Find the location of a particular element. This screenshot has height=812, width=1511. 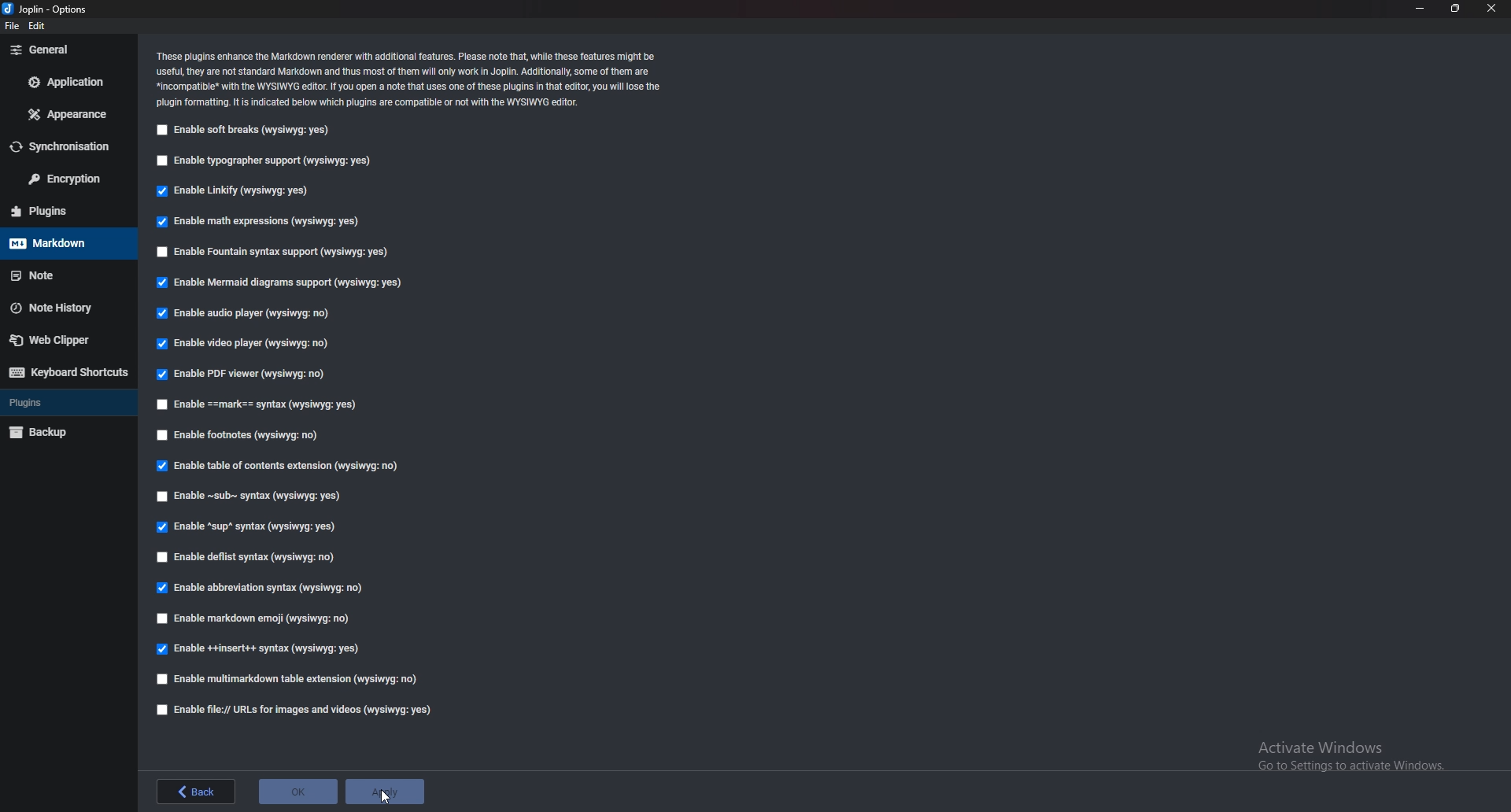

 is located at coordinates (1349, 751).